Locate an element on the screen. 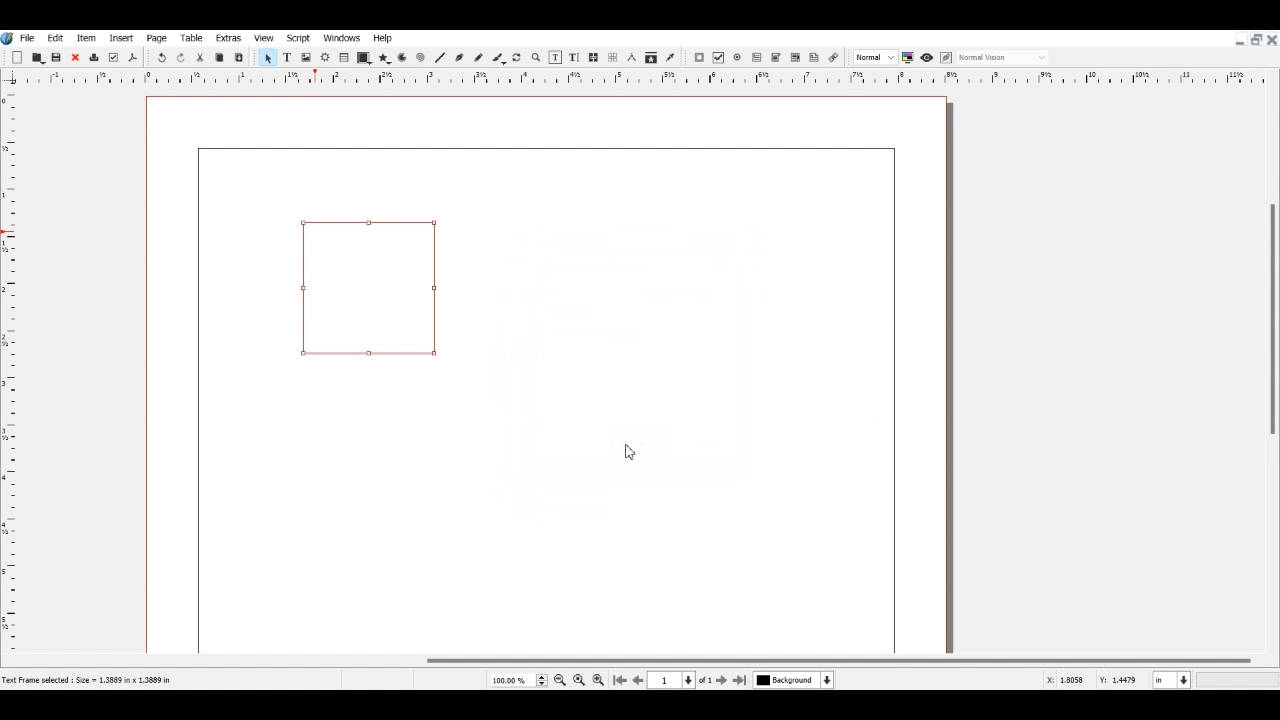 The image size is (1280, 720). PDF Check Box is located at coordinates (719, 58).